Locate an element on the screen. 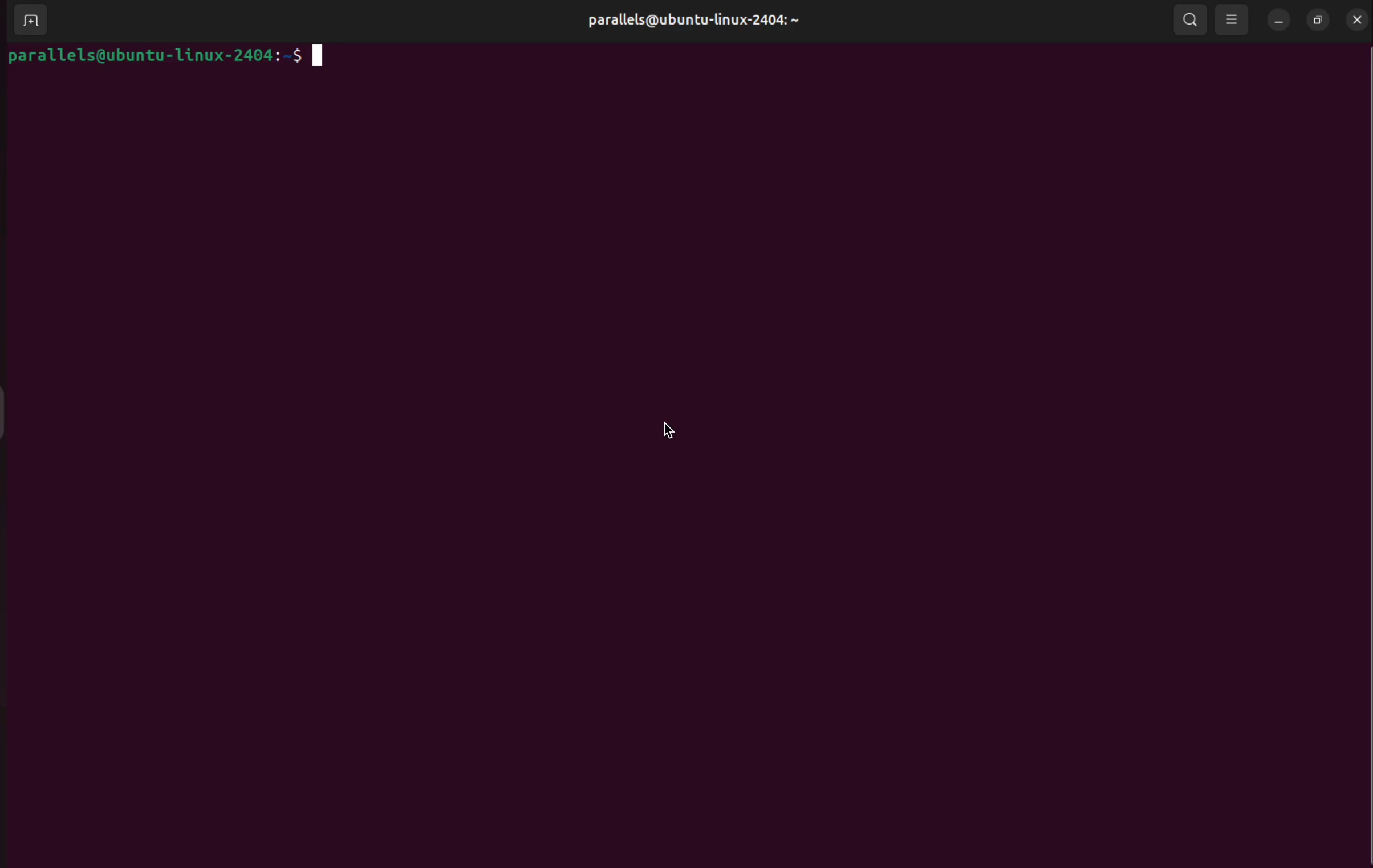 This screenshot has height=868, width=1373. bash prompt is located at coordinates (166, 59).